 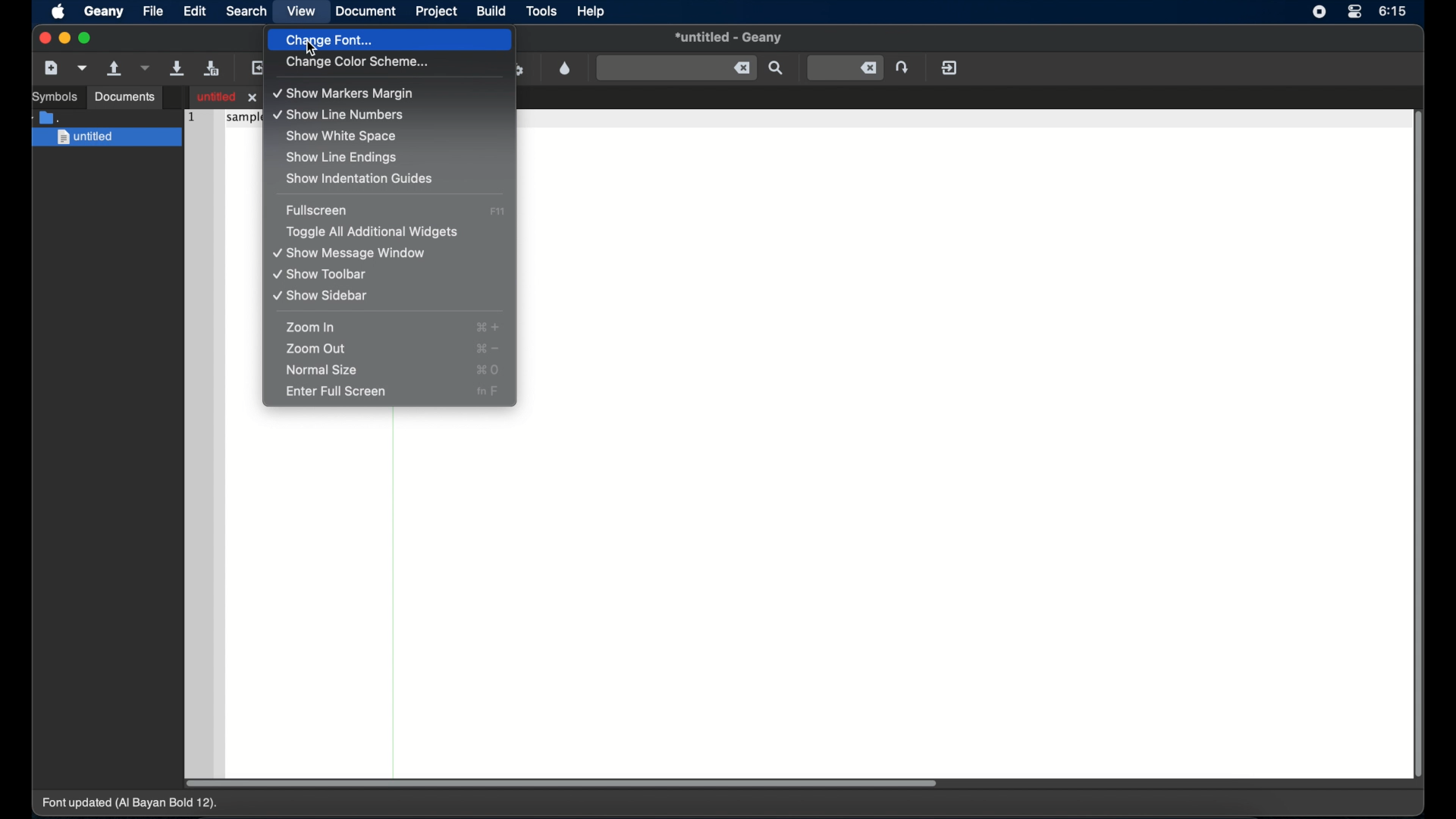 What do you see at coordinates (115, 69) in the screenshot?
I see `open an existing file` at bounding box center [115, 69].